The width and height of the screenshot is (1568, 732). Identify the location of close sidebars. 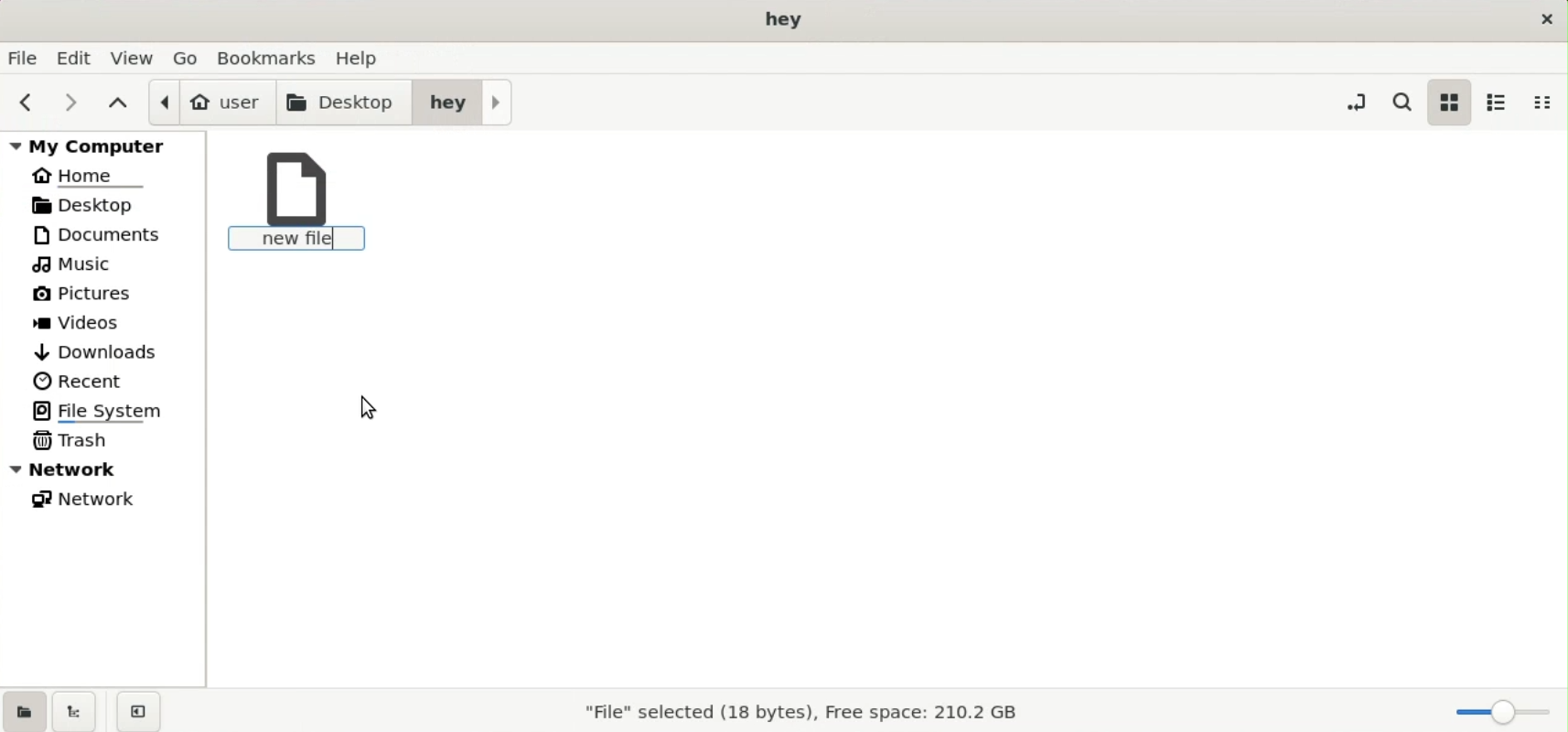
(138, 710).